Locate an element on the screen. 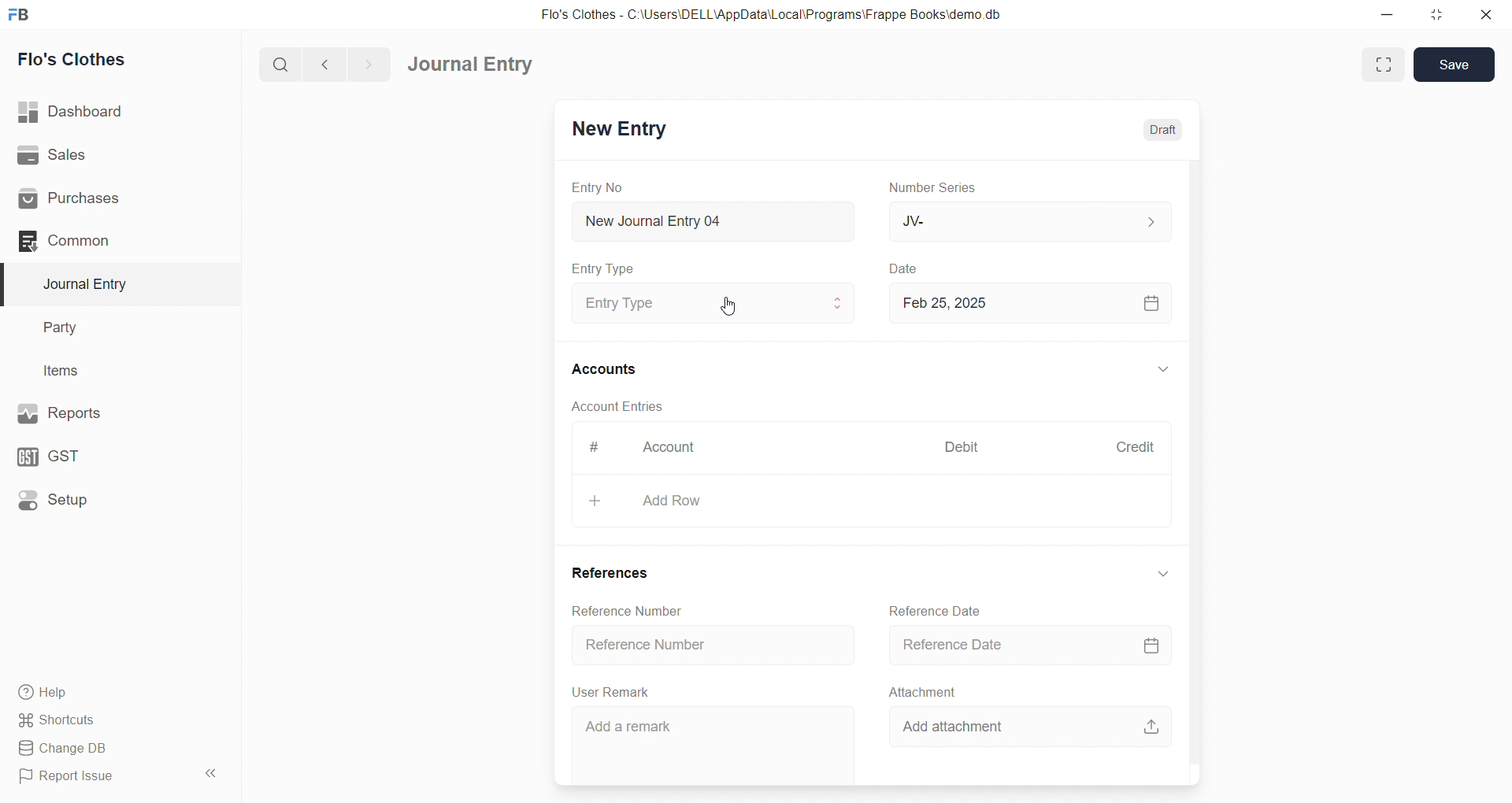 This screenshot has height=803, width=1512. Attachment is located at coordinates (923, 691).